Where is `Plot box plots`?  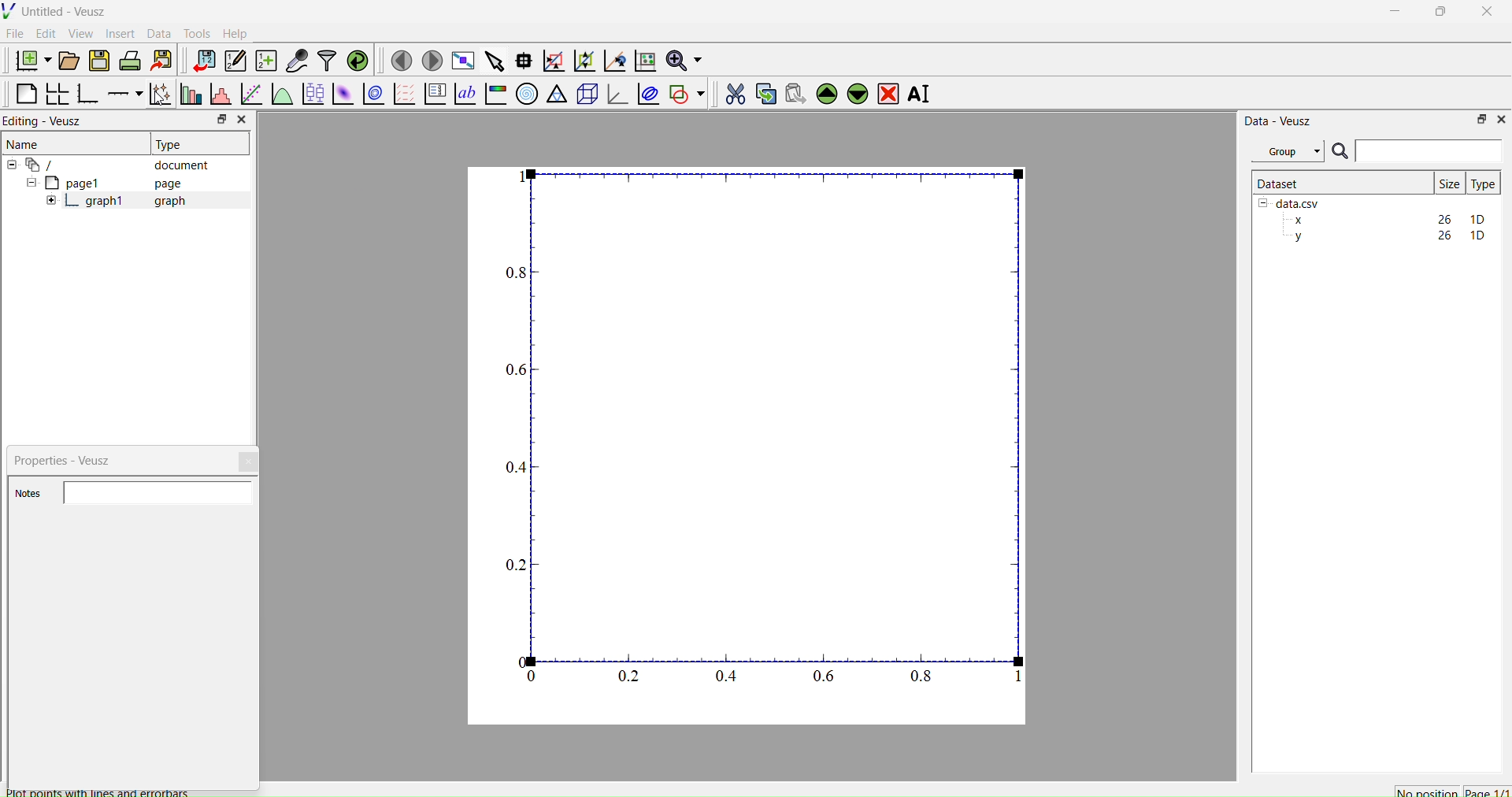
Plot box plots is located at coordinates (313, 94).